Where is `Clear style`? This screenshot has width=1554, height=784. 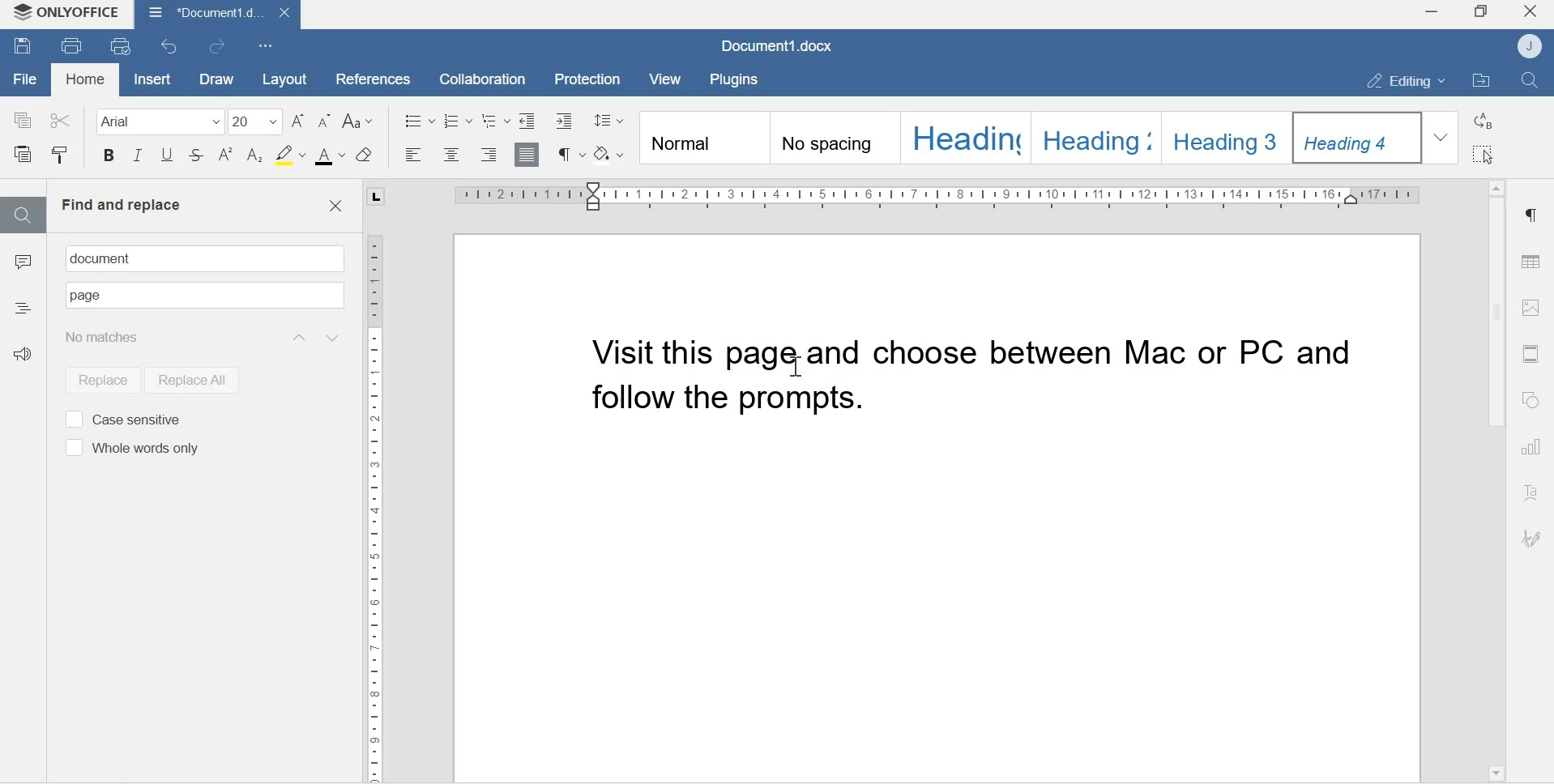
Clear style is located at coordinates (365, 155).